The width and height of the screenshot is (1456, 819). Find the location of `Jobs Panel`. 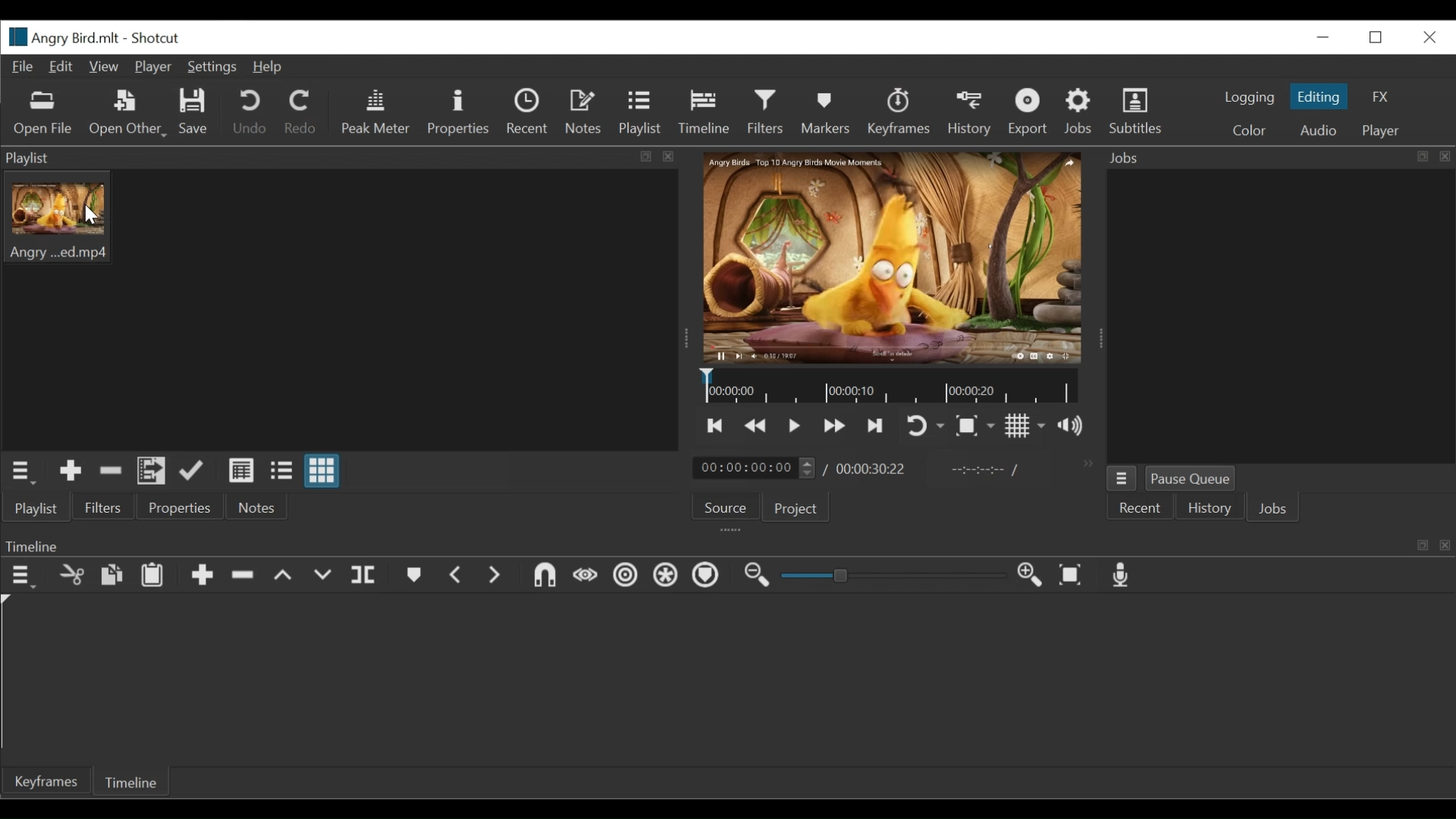

Jobs Panel is located at coordinates (1275, 158).